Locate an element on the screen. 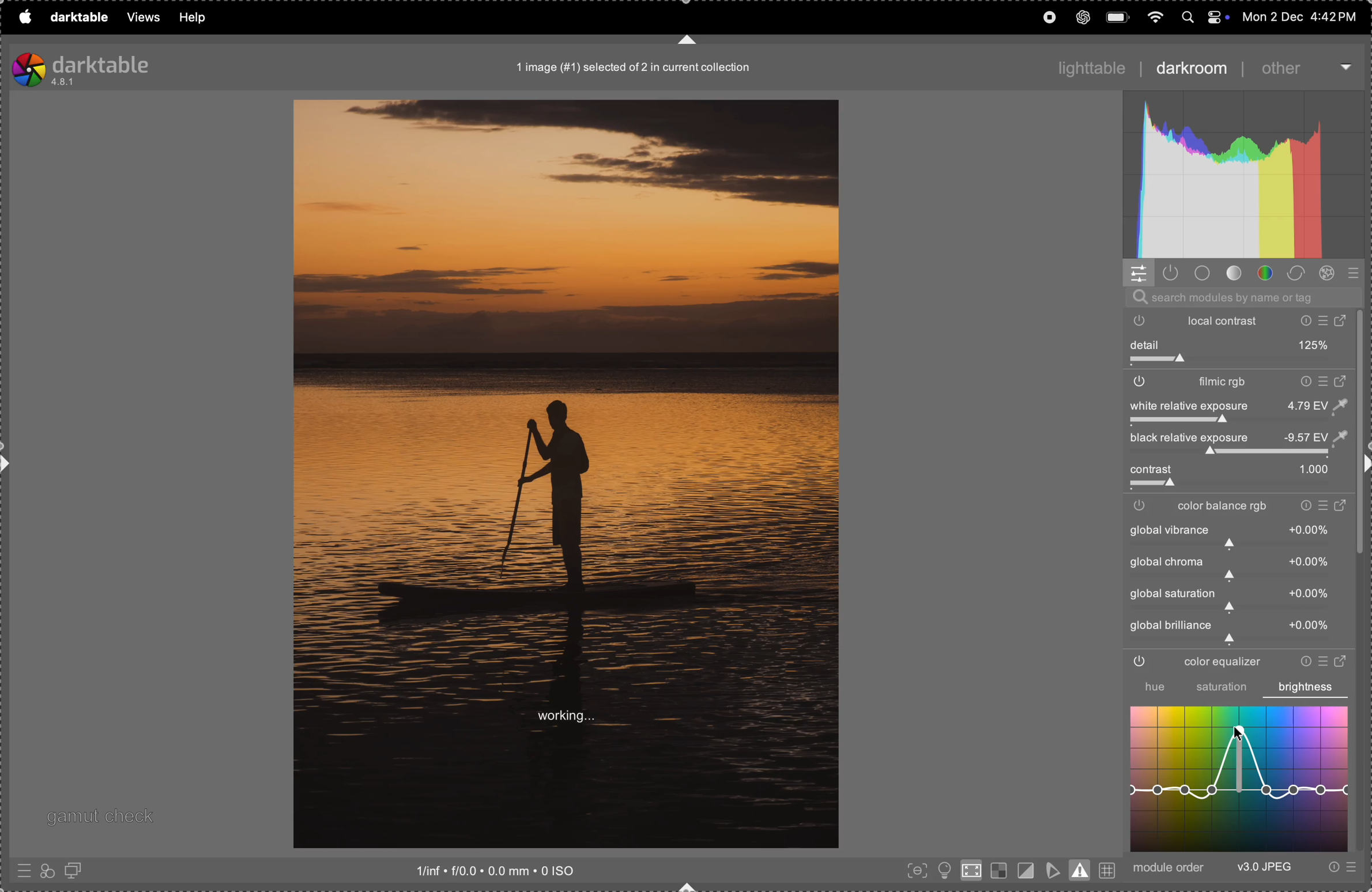 The height and width of the screenshot is (892, 1372). toggle indication of raw exposure is located at coordinates (997, 871).